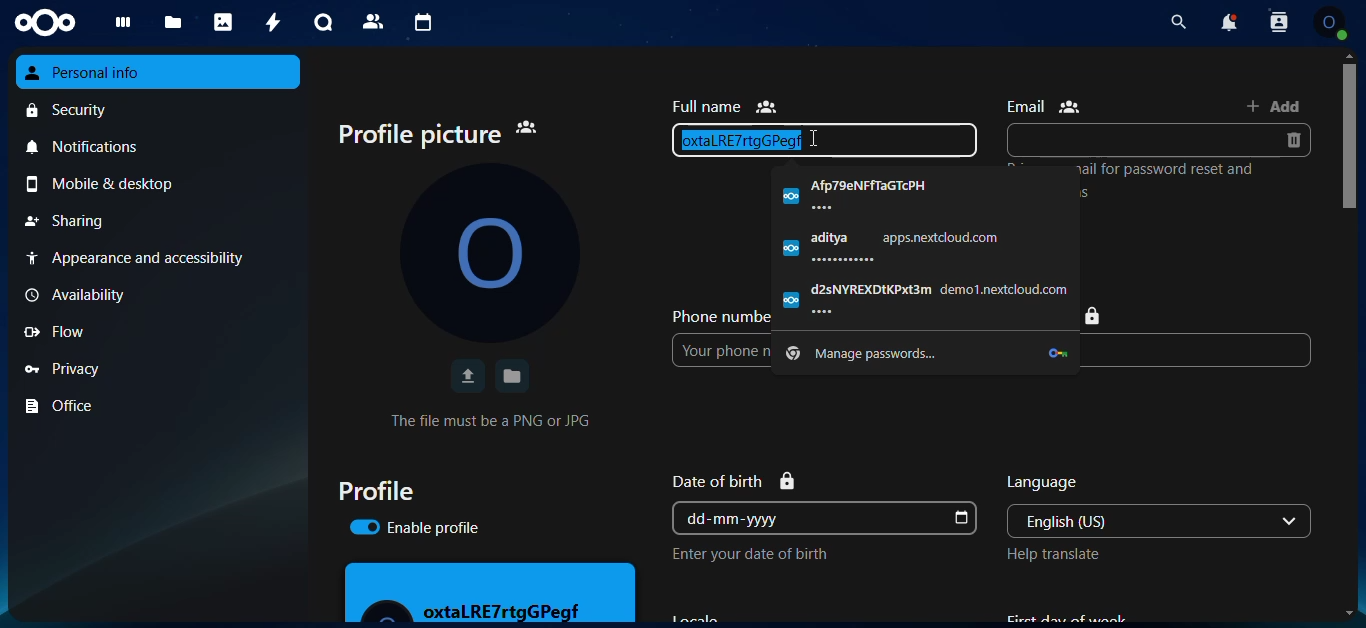 The image size is (1366, 628). Describe the element at coordinates (925, 298) in the screenshot. I see `d2sNYREXDtKPxt3m demo1.nextcloud.com ...` at that location.